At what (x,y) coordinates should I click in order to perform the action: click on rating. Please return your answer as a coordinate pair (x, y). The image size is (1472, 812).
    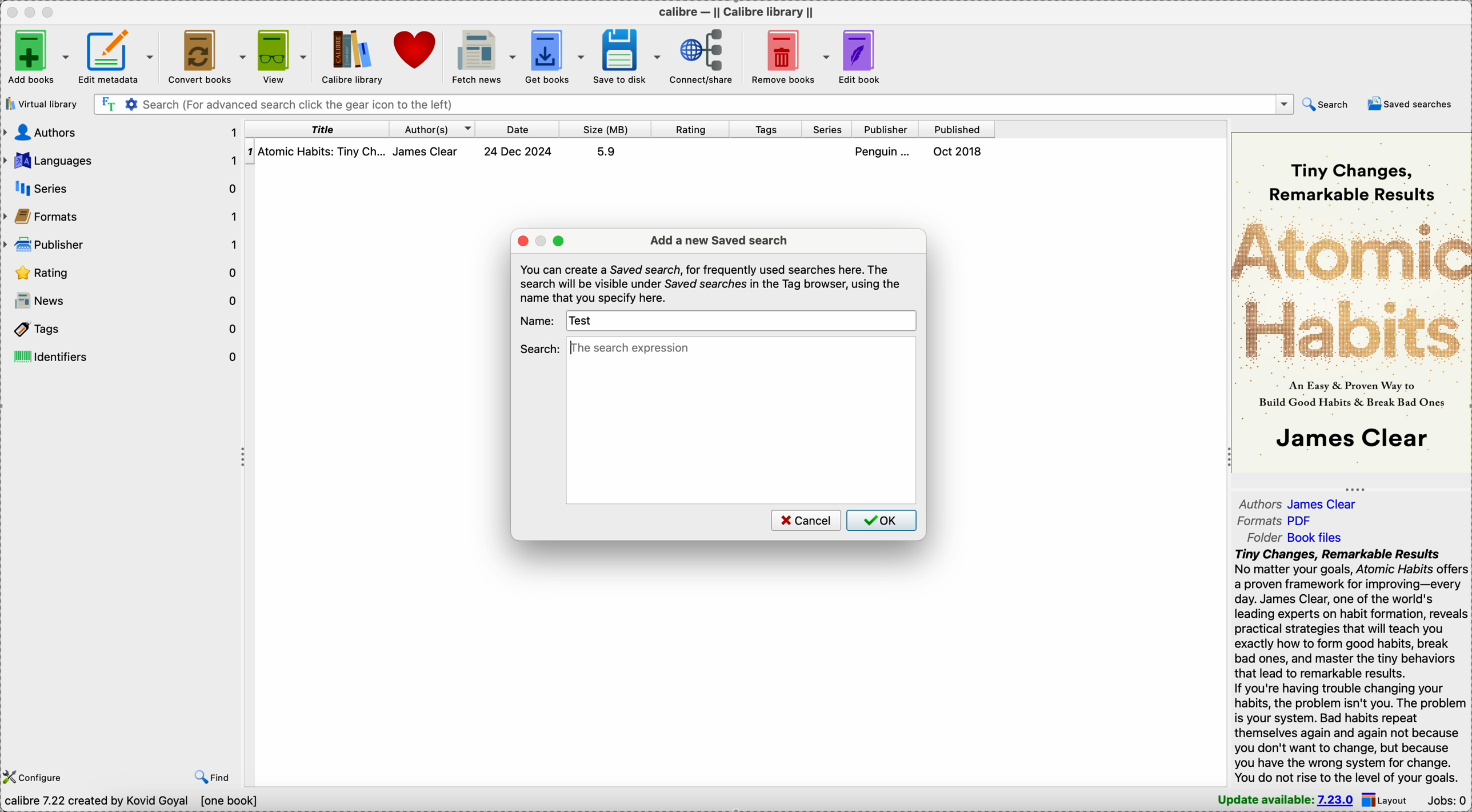
    Looking at the image, I should click on (122, 274).